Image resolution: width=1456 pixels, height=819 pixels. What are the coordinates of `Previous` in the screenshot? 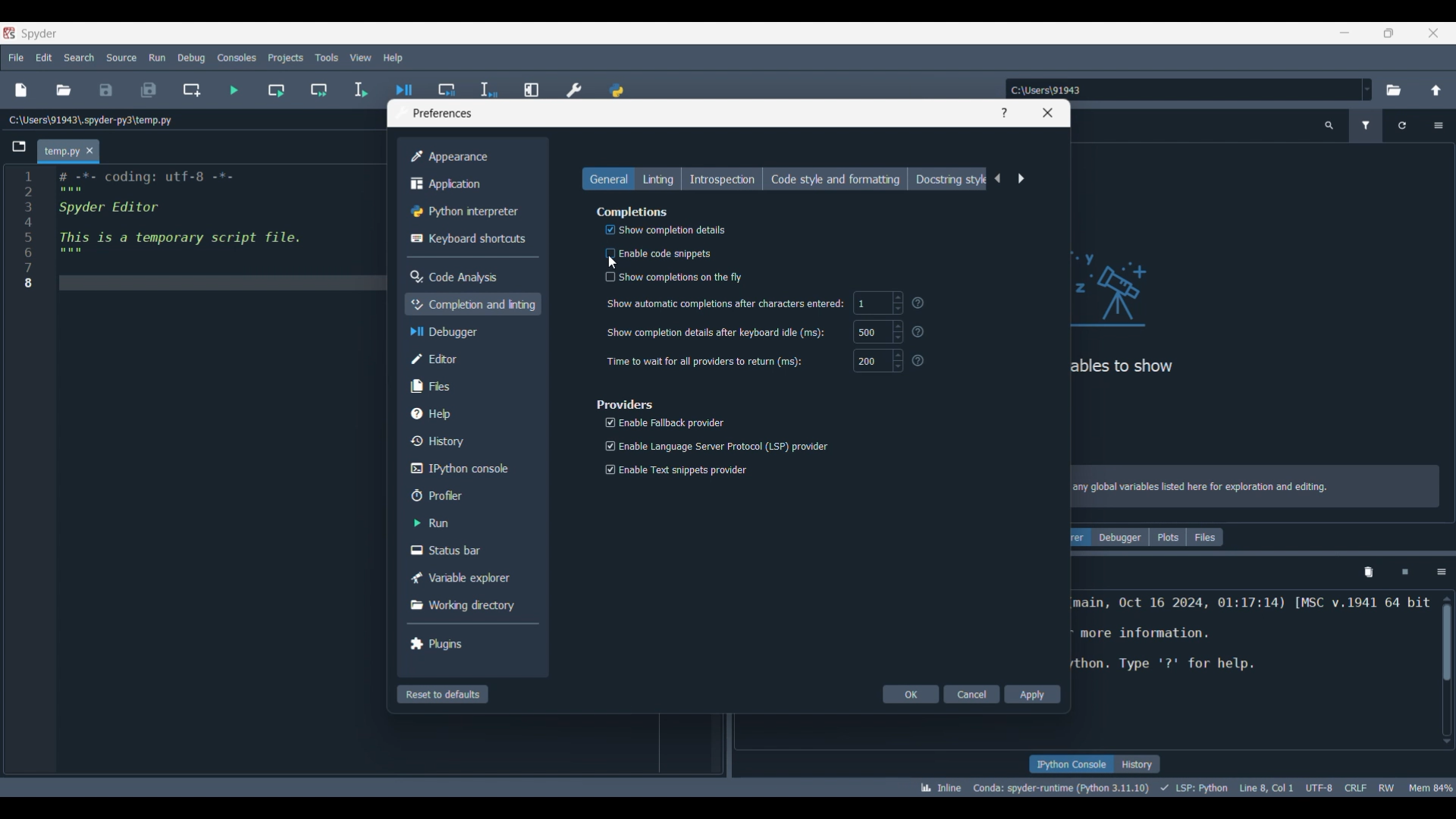 It's located at (998, 178).